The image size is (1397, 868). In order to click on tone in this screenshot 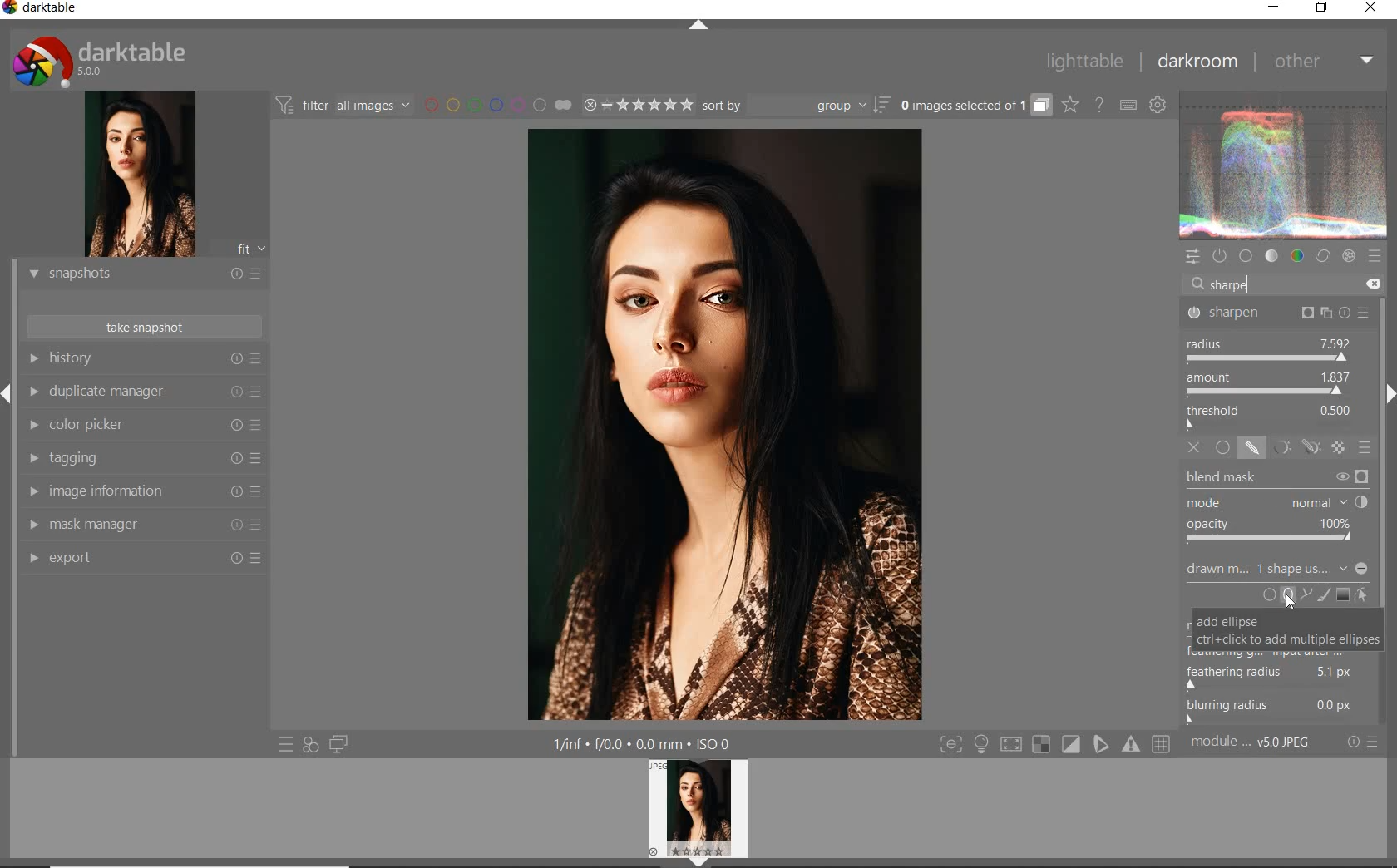, I will do `click(1271, 258)`.